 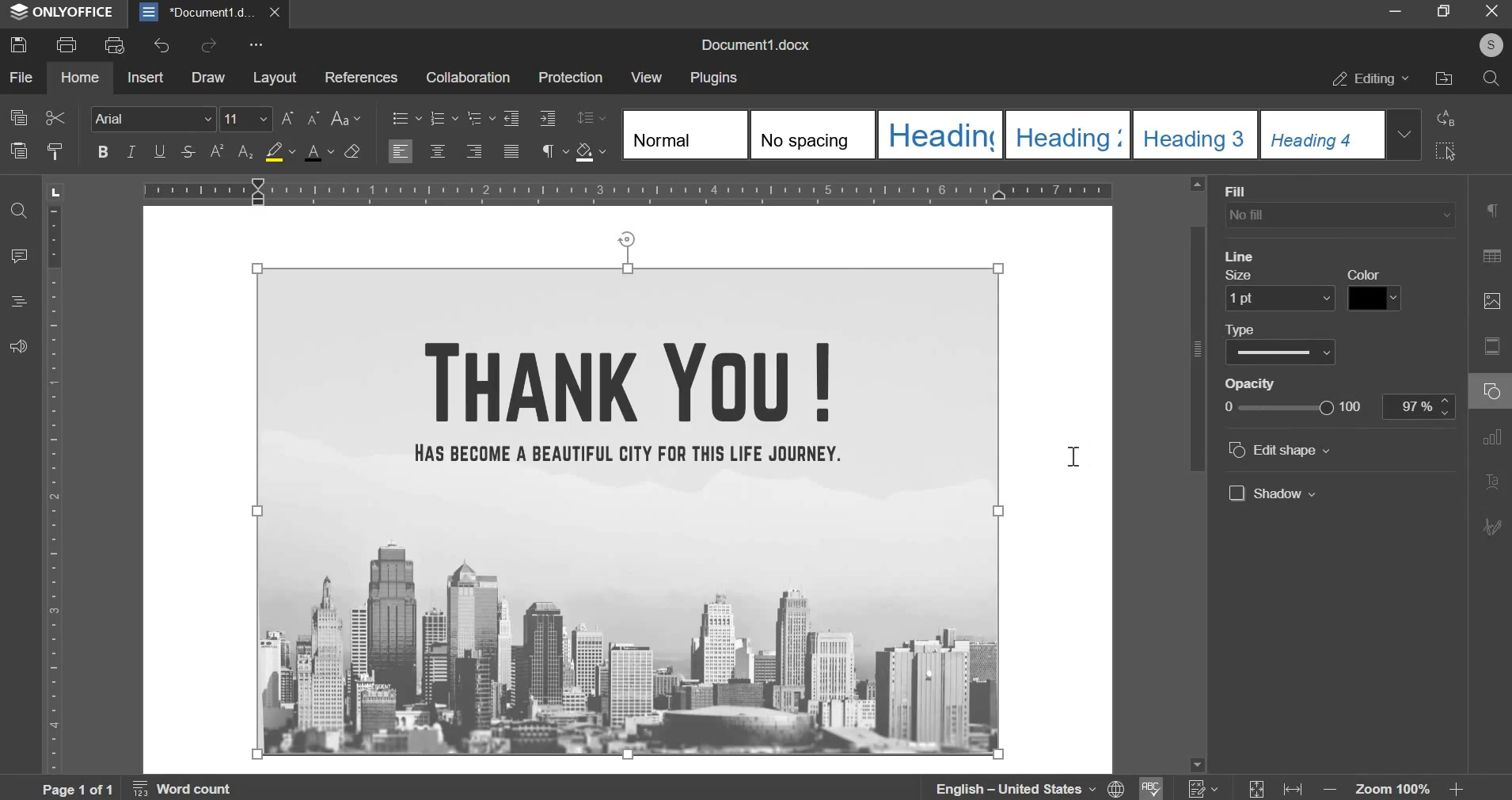 What do you see at coordinates (247, 118) in the screenshot?
I see `font size` at bounding box center [247, 118].